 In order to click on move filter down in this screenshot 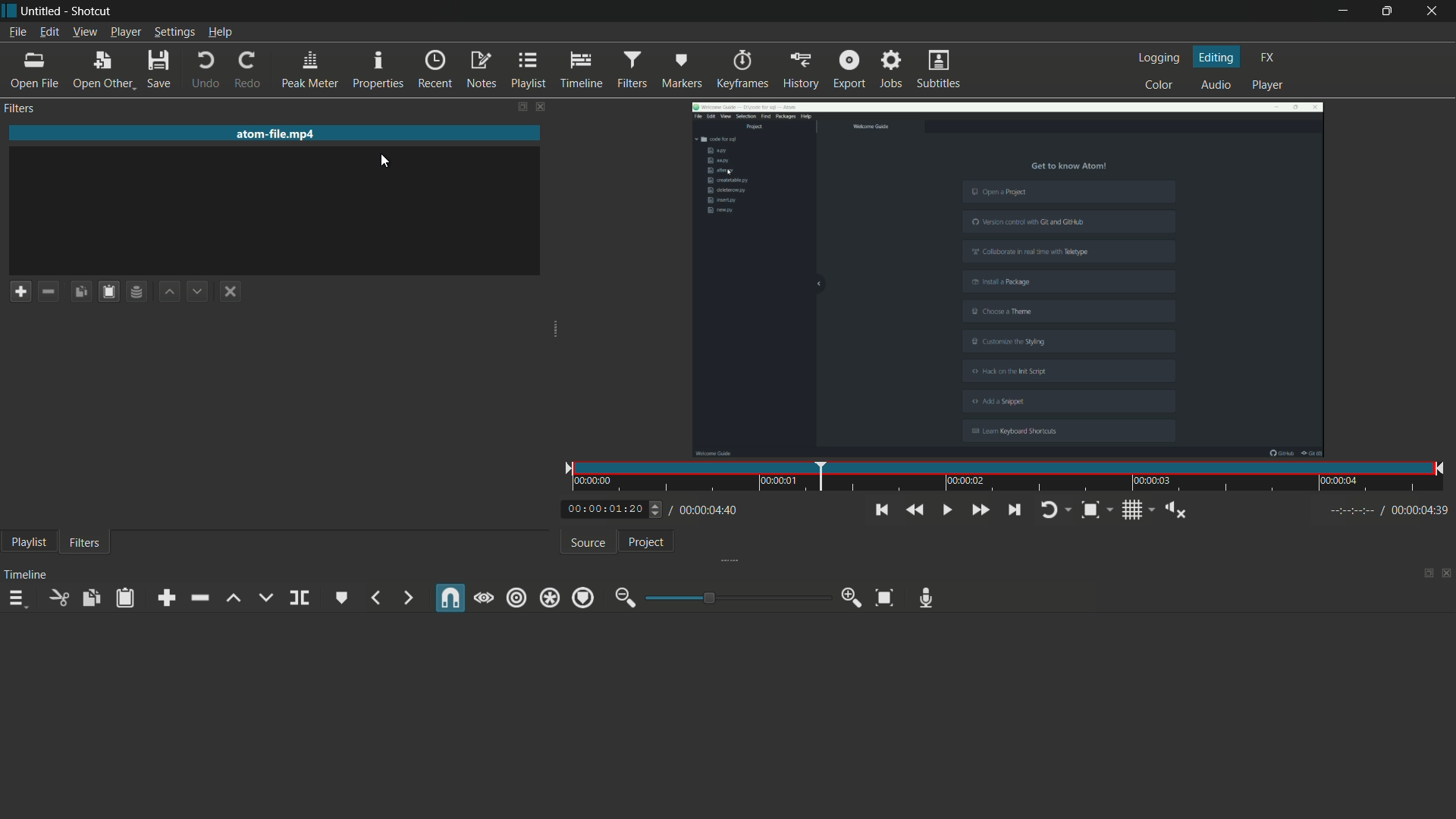, I will do `click(199, 291)`.